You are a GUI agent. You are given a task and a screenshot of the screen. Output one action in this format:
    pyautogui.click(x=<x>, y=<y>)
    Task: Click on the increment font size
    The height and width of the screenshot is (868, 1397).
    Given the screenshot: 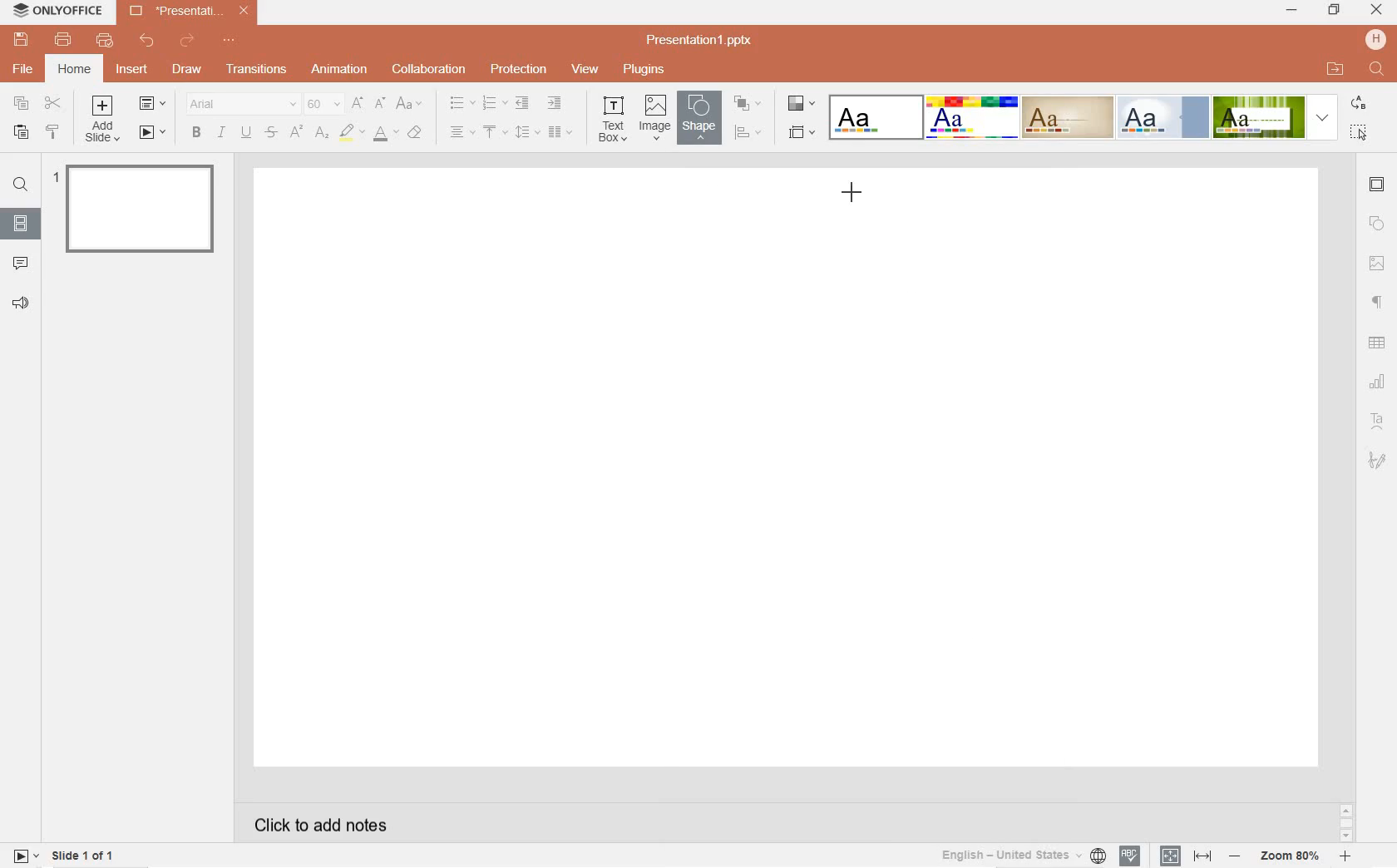 What is the action you would take?
    pyautogui.click(x=358, y=103)
    